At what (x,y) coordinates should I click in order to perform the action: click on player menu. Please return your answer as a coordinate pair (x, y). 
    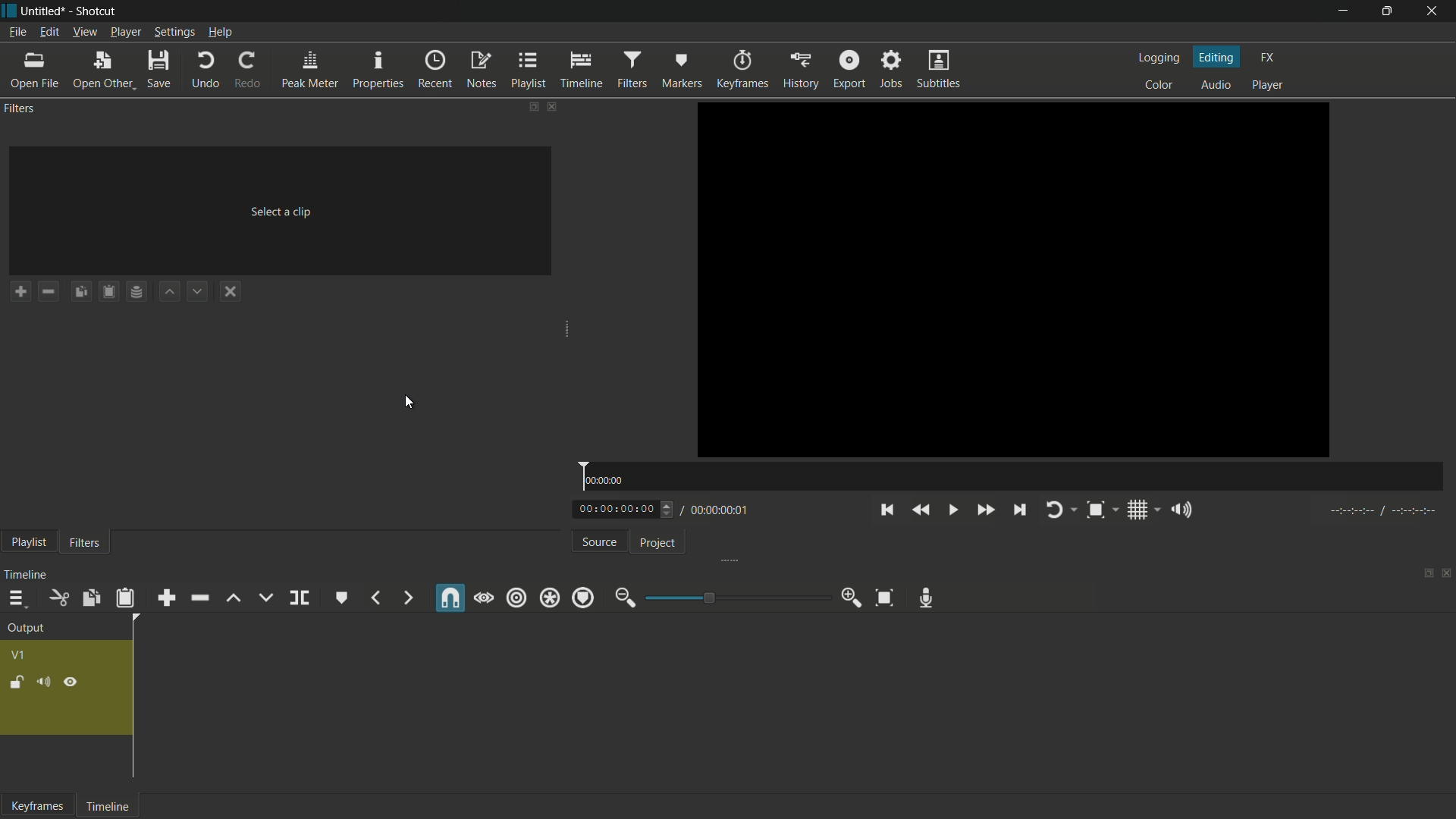
    Looking at the image, I should click on (125, 32).